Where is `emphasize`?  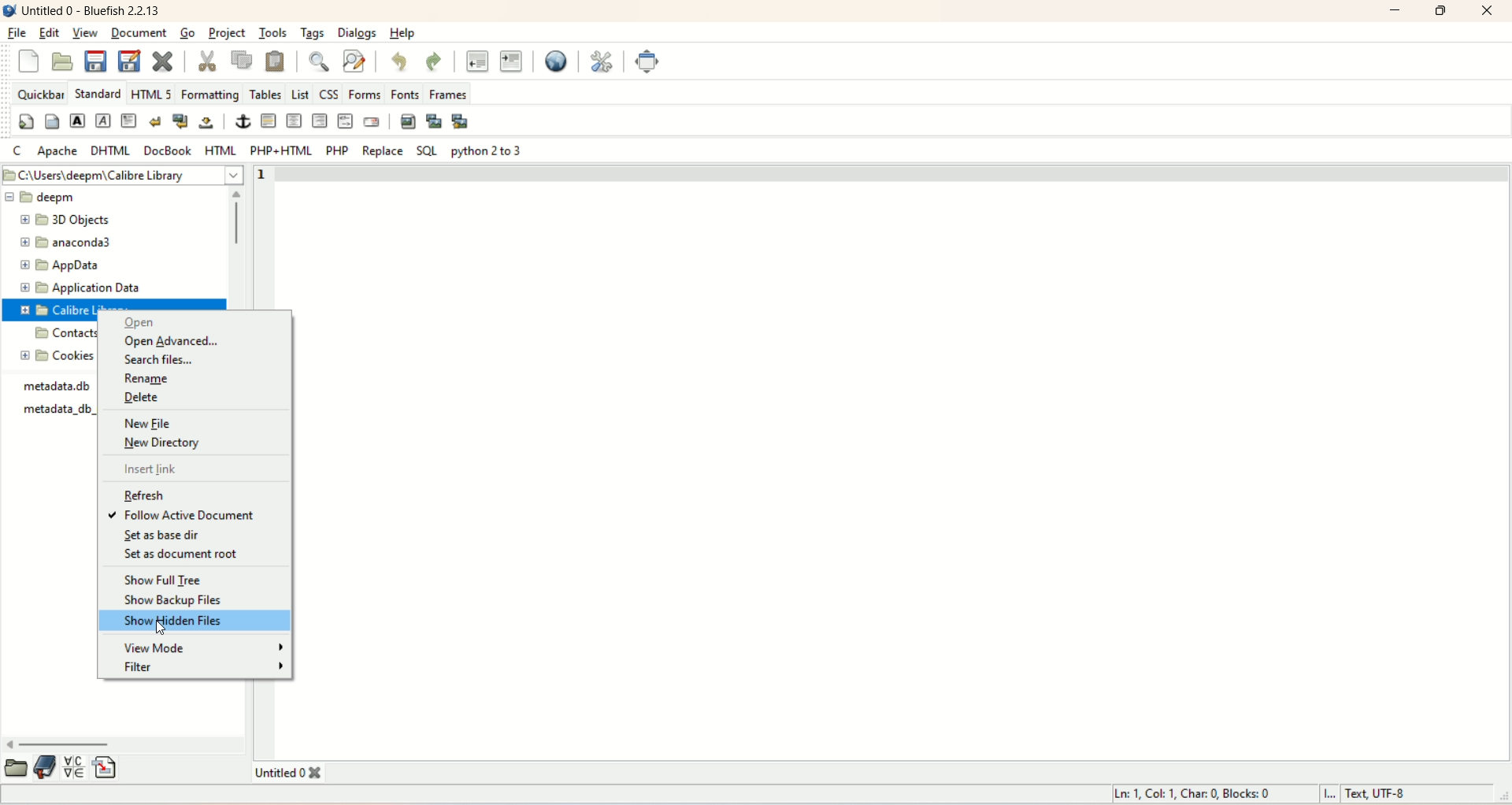
emphasize is located at coordinates (104, 121).